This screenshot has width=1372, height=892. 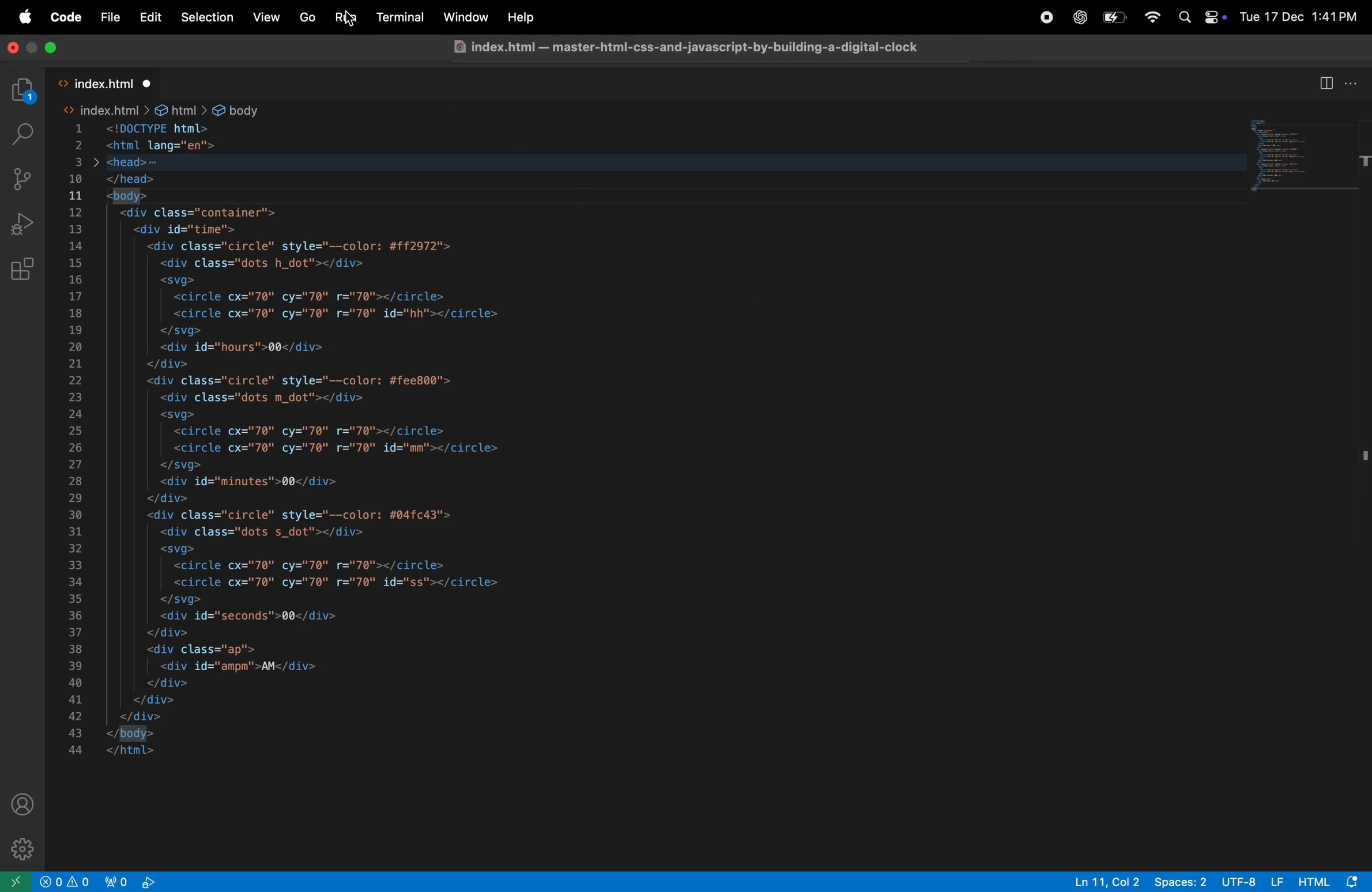 What do you see at coordinates (25, 177) in the screenshot?
I see `source control` at bounding box center [25, 177].